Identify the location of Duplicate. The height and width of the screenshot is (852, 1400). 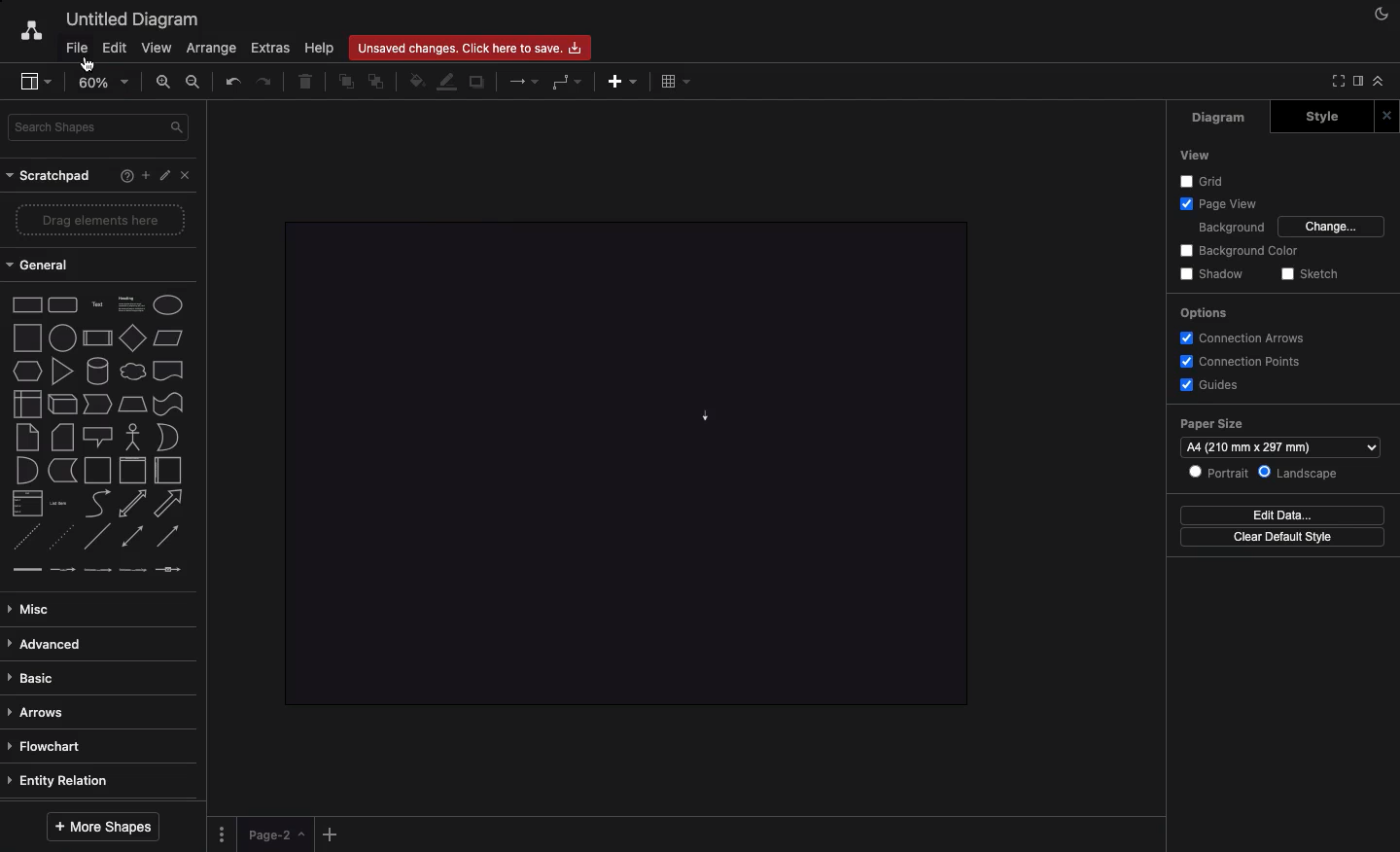
(476, 84).